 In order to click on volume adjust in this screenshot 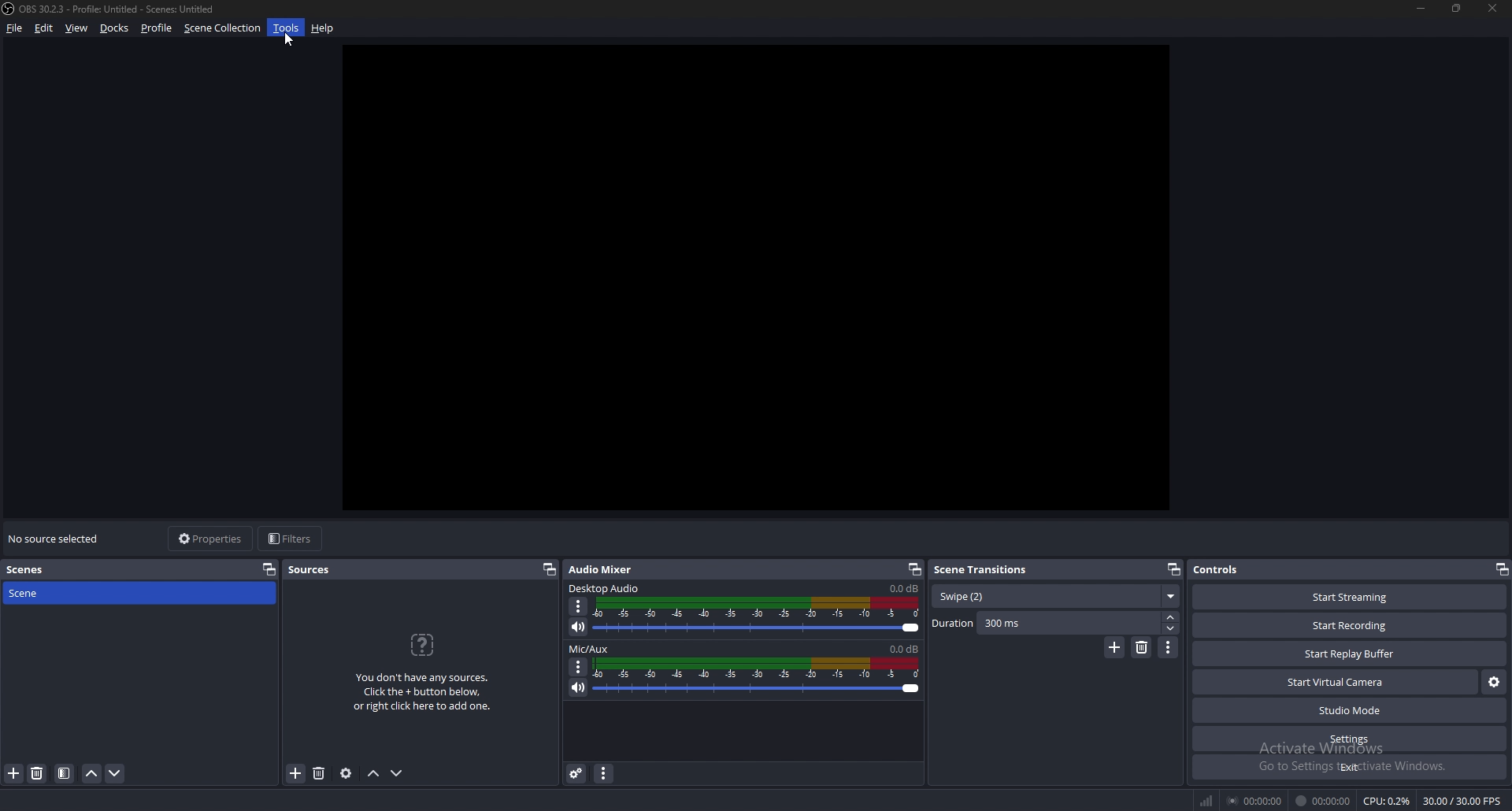, I will do `click(756, 678)`.